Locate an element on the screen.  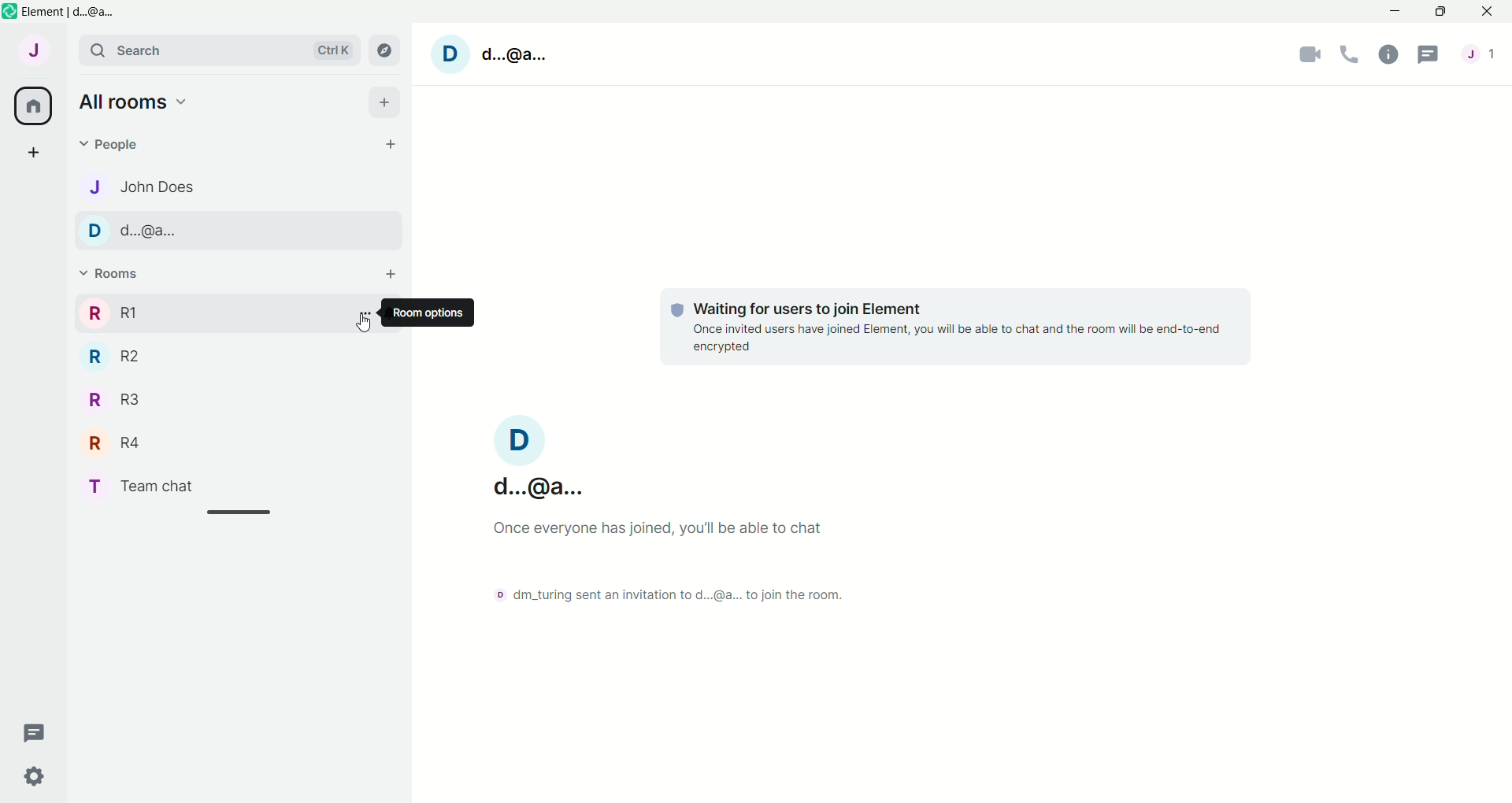
Calling  is located at coordinates (1350, 54).